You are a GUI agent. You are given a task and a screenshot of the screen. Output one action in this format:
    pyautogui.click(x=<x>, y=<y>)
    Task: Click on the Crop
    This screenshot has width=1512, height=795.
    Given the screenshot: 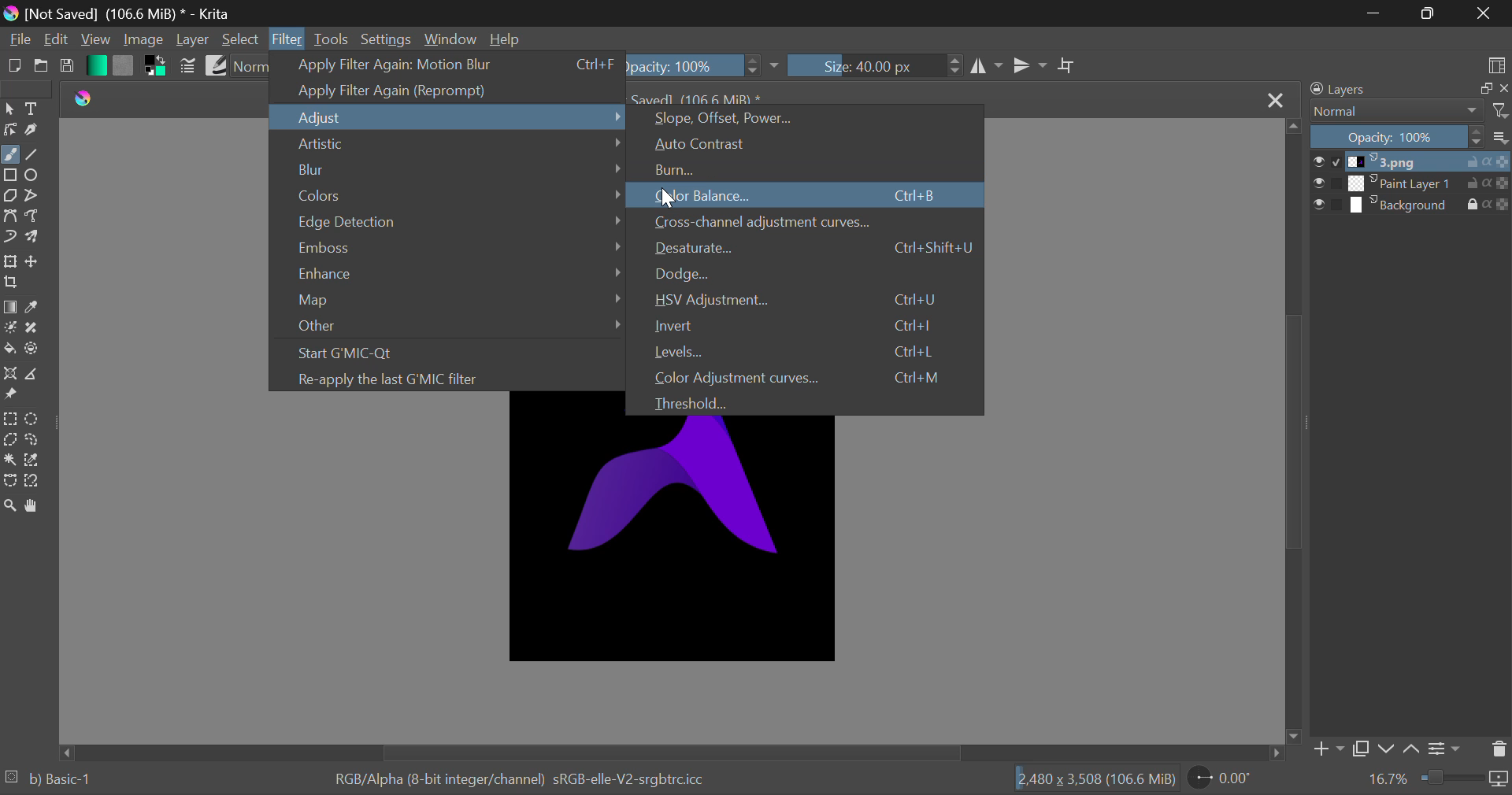 What is the action you would take?
    pyautogui.click(x=1065, y=65)
    